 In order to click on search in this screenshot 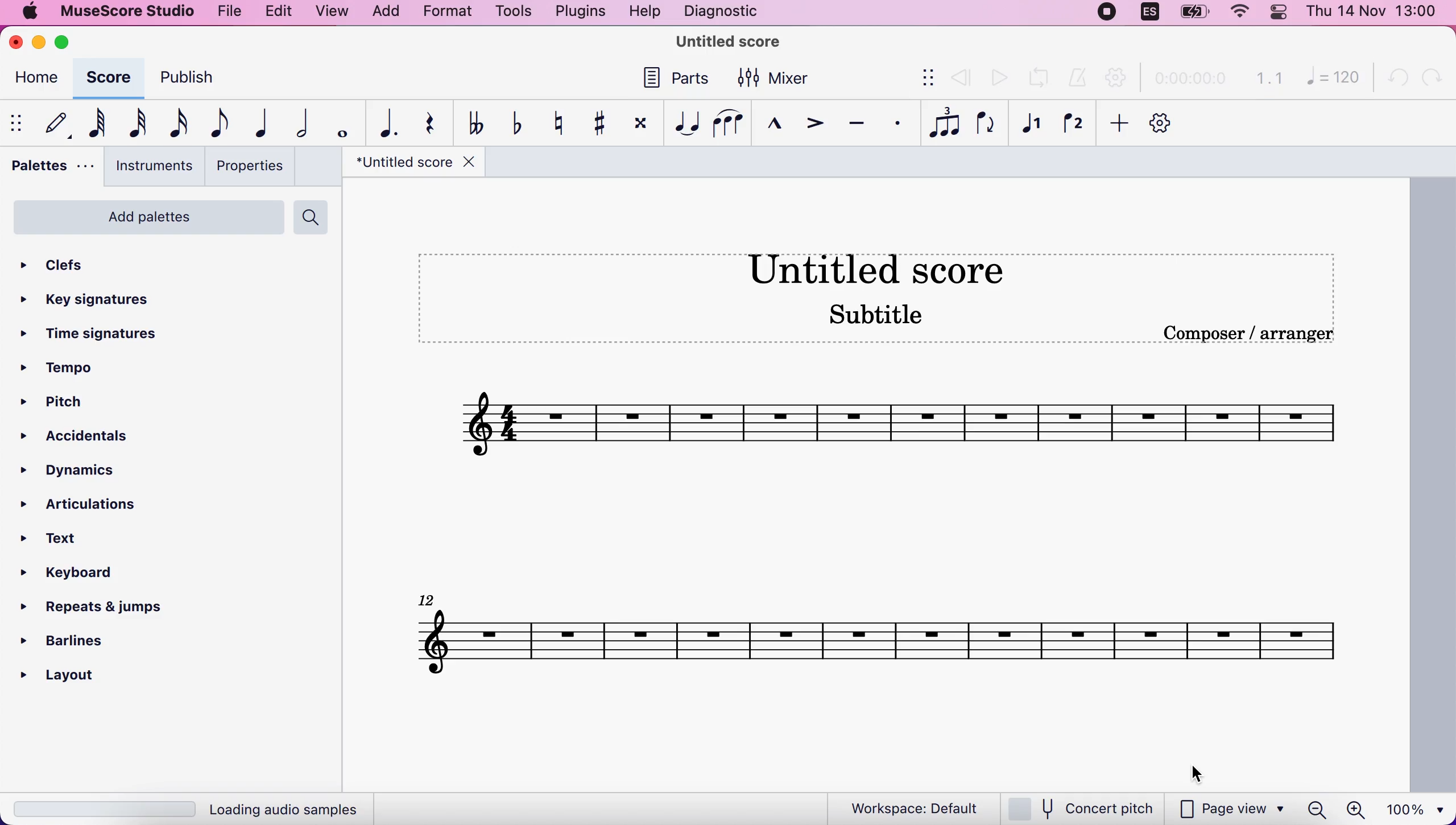, I will do `click(317, 218)`.